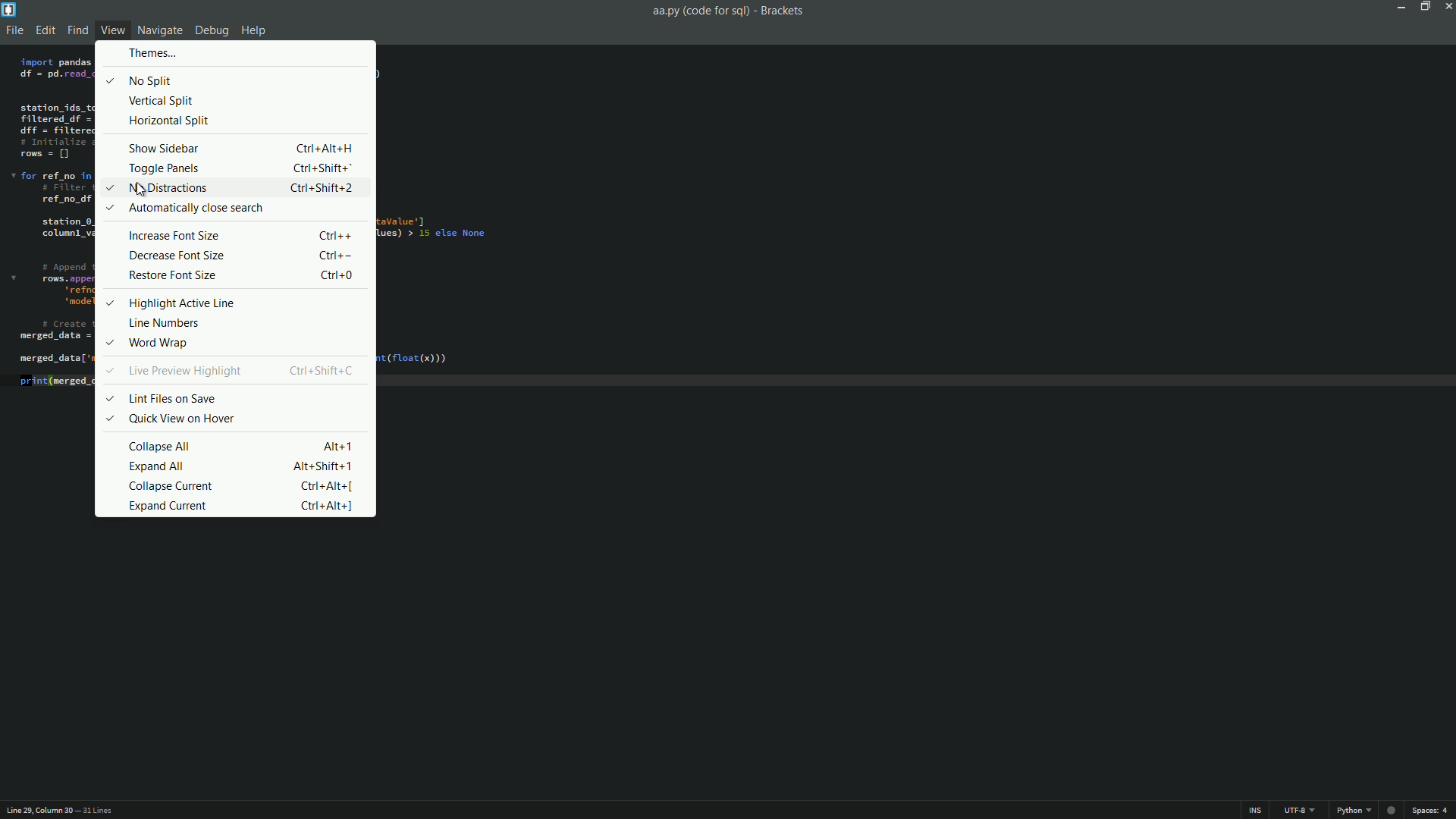 Image resolution: width=1456 pixels, height=819 pixels. I want to click on app name, so click(781, 12).